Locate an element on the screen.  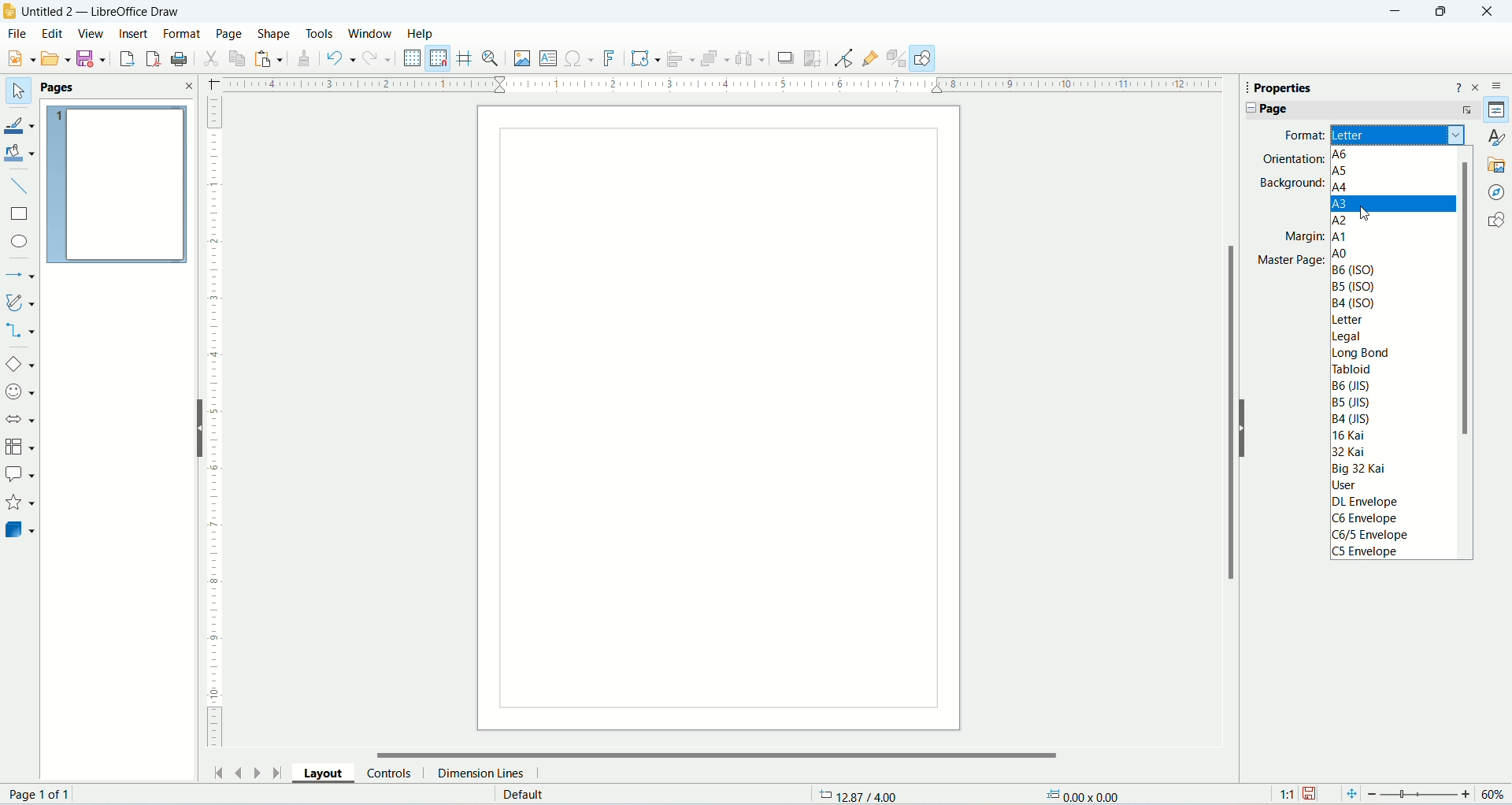
rectangle is located at coordinates (22, 216).